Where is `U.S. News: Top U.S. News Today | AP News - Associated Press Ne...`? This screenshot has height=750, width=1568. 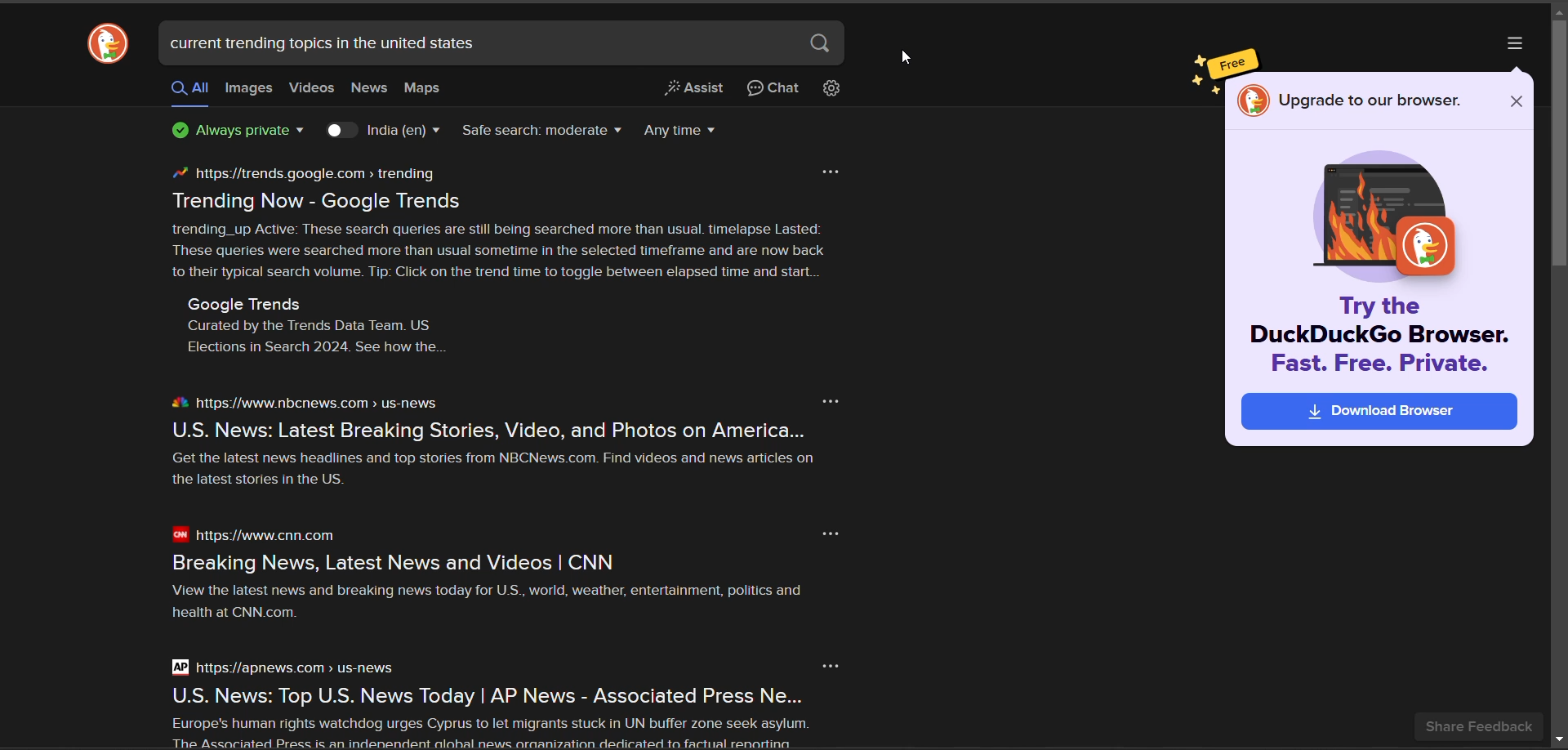 U.S. News: Top U.S. News Today | AP News - Associated Press Ne... is located at coordinates (488, 694).